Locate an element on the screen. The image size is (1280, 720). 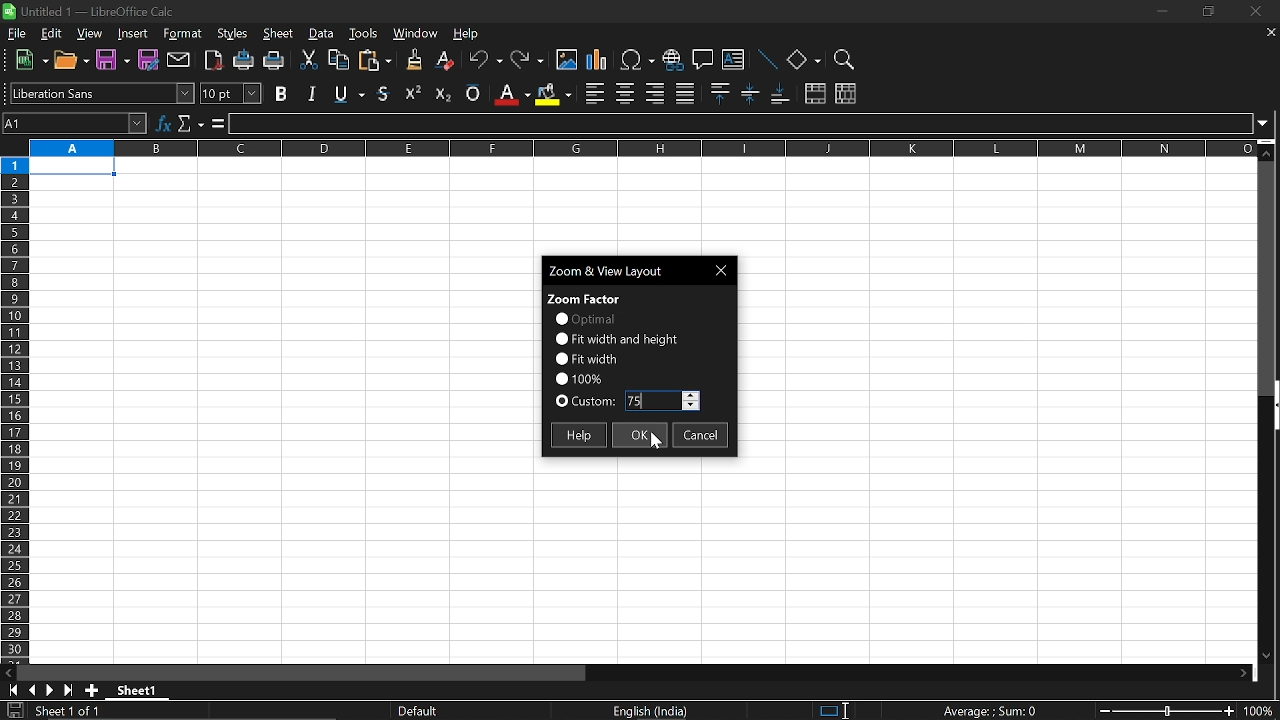
current sheet is located at coordinates (78, 712).